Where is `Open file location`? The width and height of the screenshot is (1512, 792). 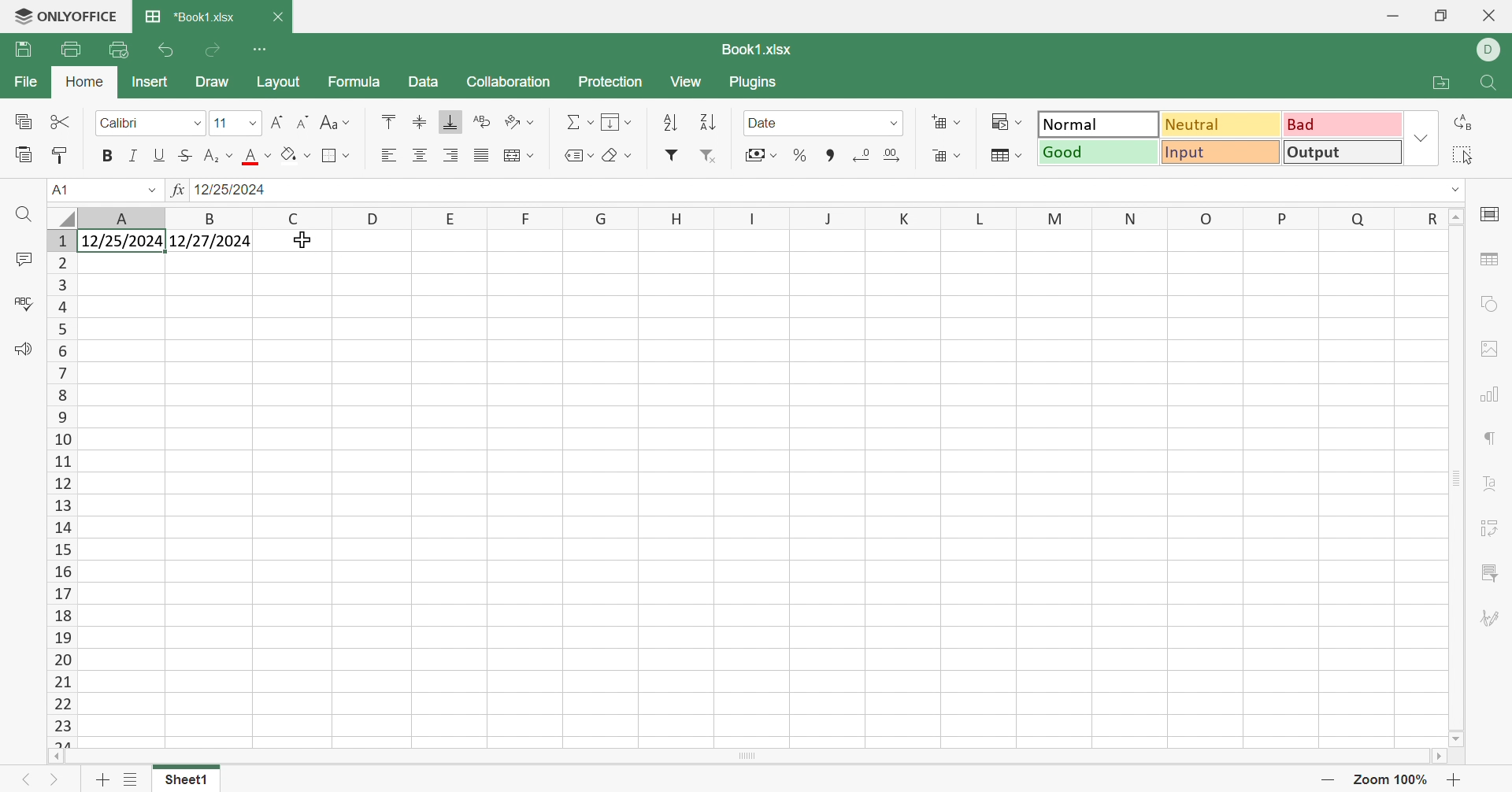
Open file location is located at coordinates (1443, 83).